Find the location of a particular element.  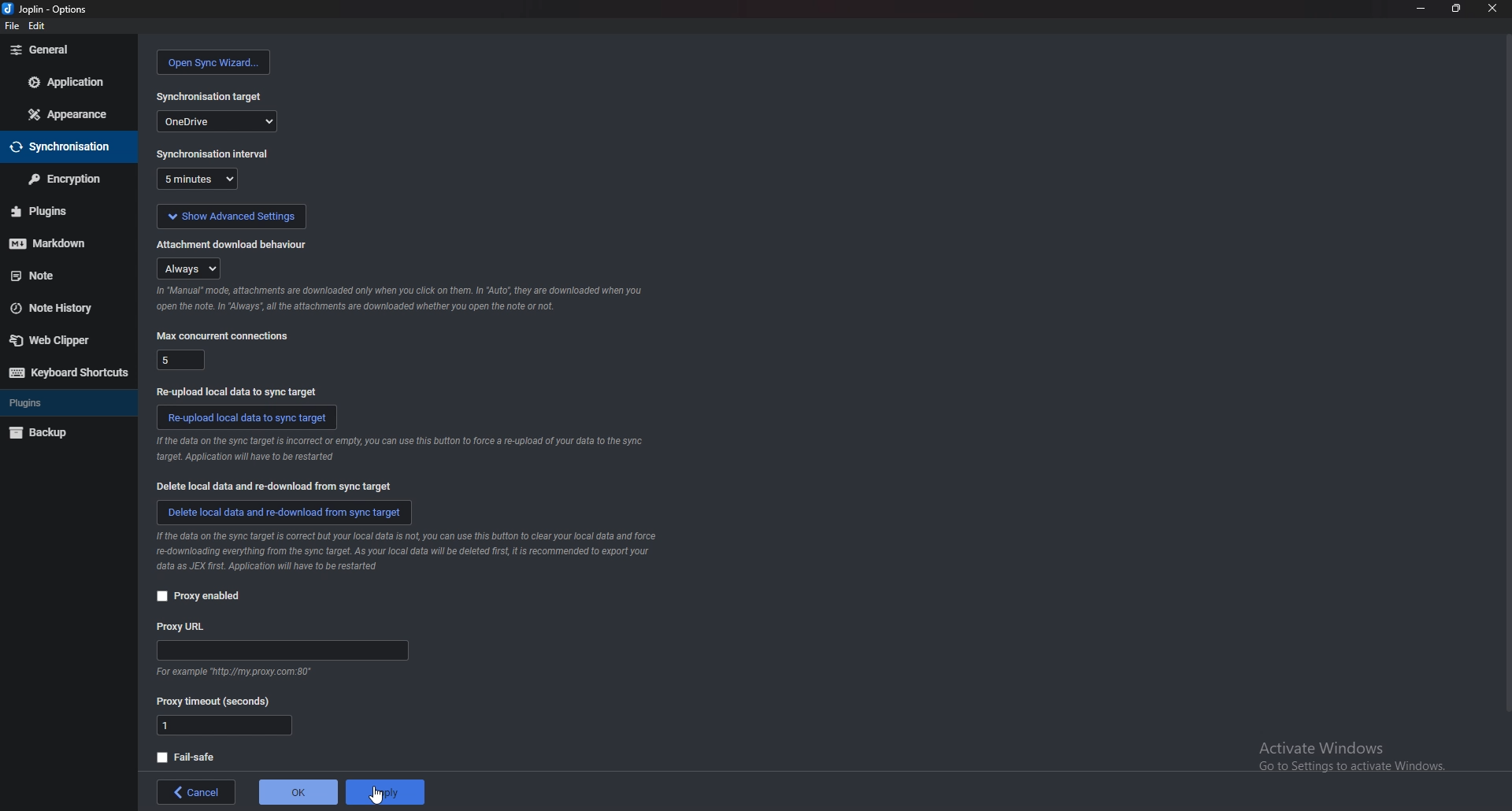

apply is located at coordinates (390, 791).